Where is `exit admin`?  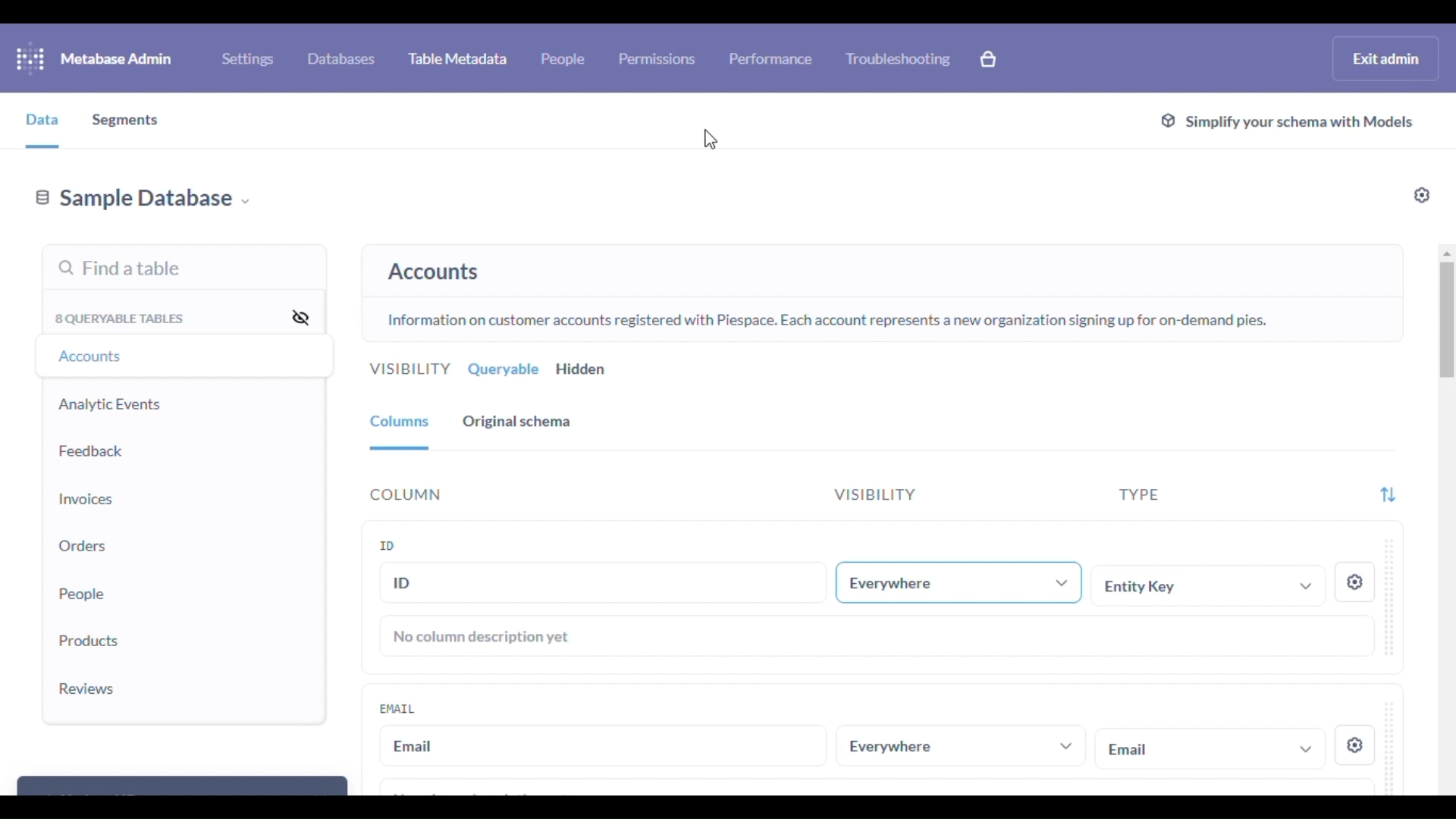
exit admin is located at coordinates (1386, 58).